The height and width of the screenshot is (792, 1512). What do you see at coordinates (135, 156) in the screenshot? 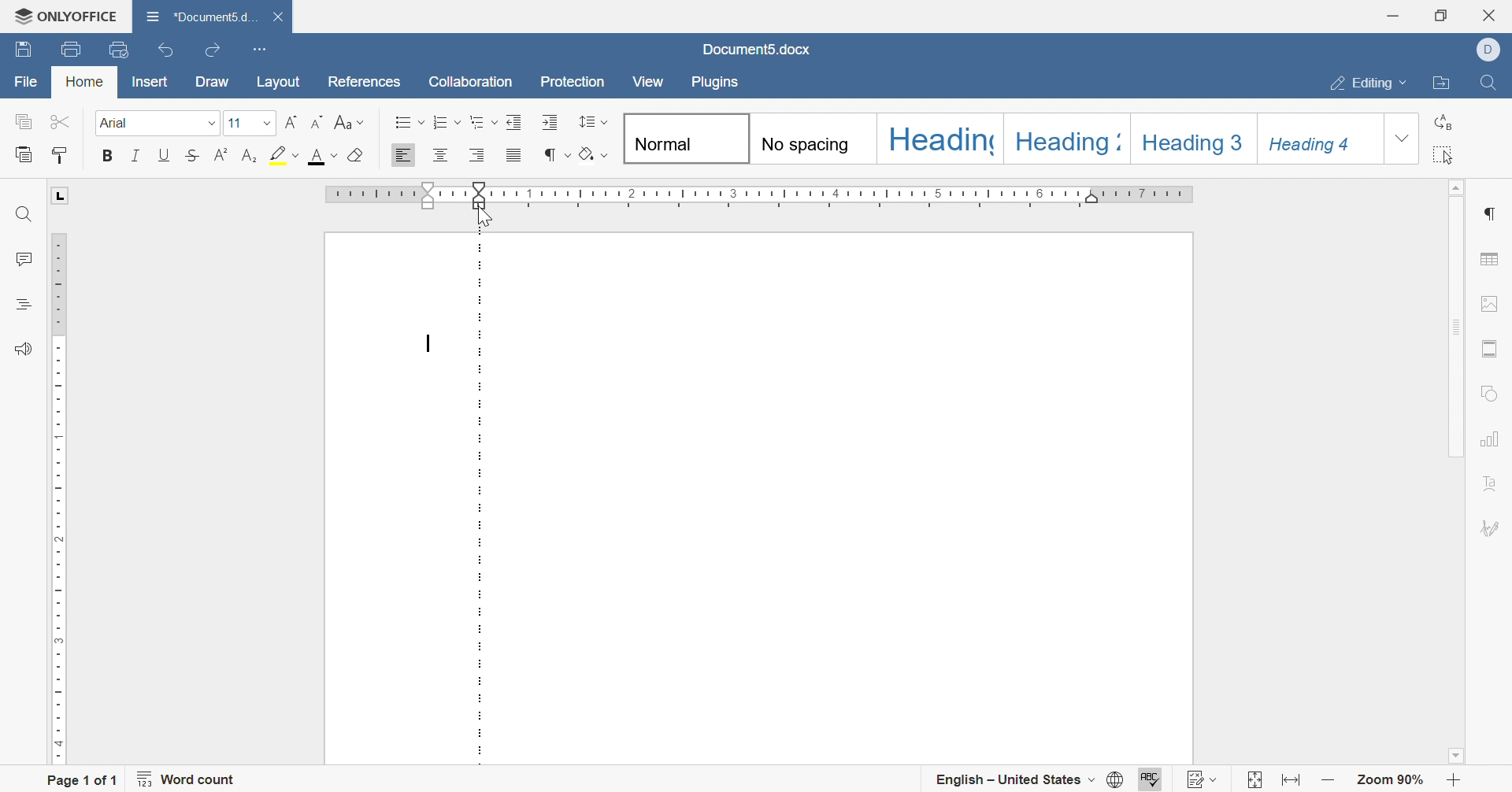
I see `italic` at bounding box center [135, 156].